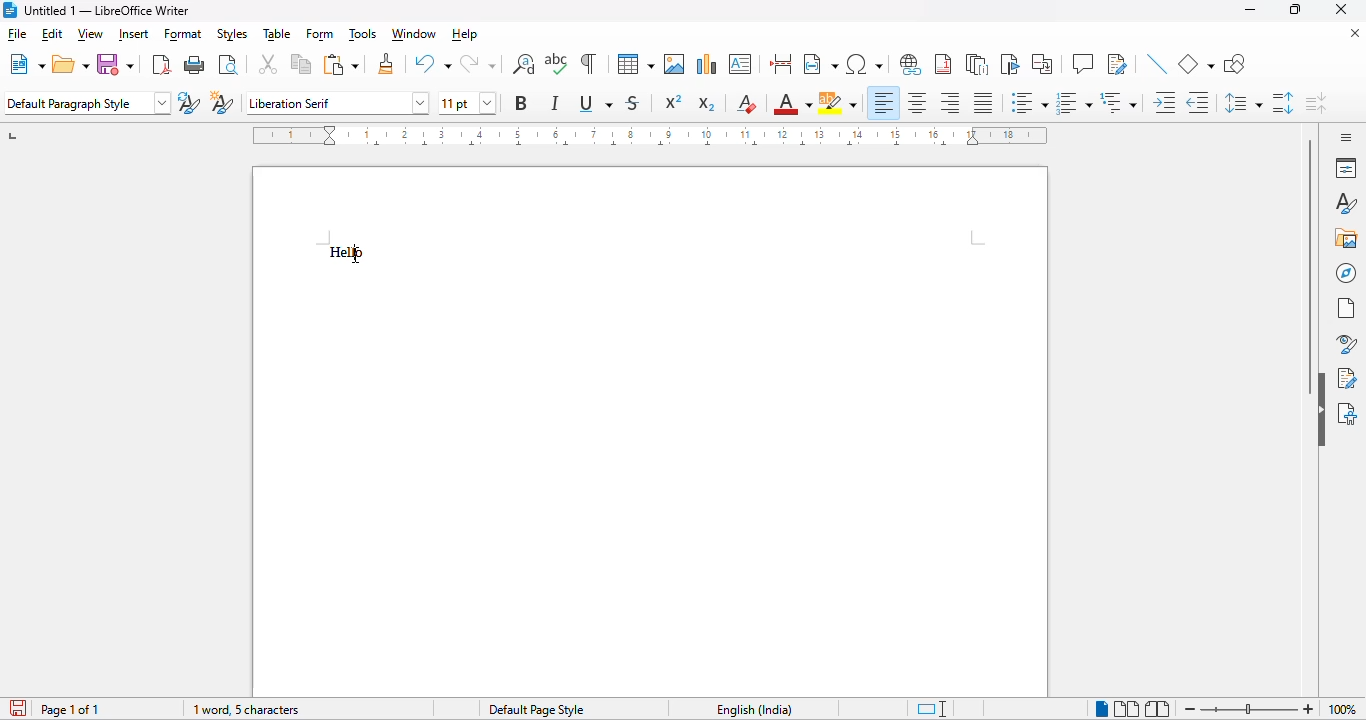 The height and width of the screenshot is (720, 1366). I want to click on insert special characters, so click(864, 64).